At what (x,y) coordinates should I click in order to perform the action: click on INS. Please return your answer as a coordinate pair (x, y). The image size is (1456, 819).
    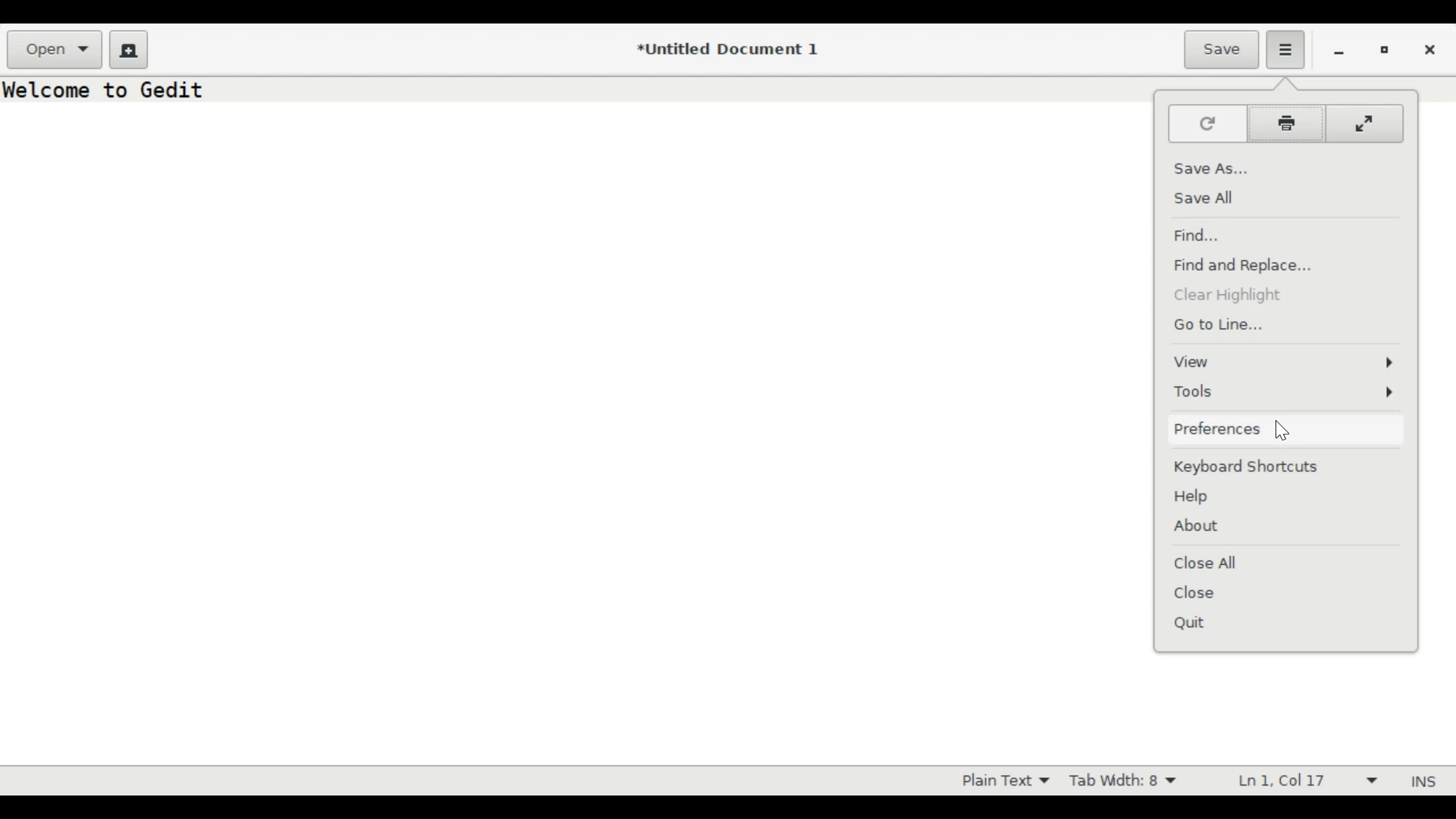
    Looking at the image, I should click on (1419, 781).